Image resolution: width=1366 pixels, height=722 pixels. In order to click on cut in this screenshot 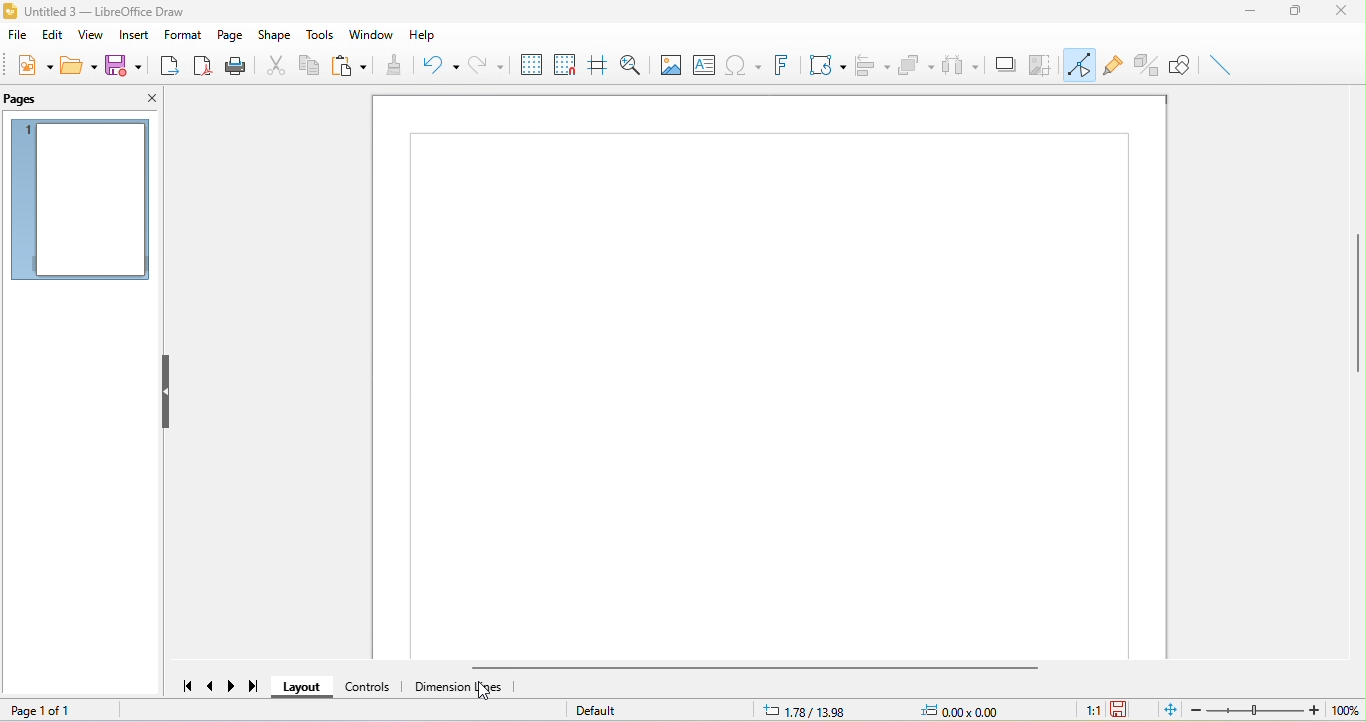, I will do `click(276, 65)`.